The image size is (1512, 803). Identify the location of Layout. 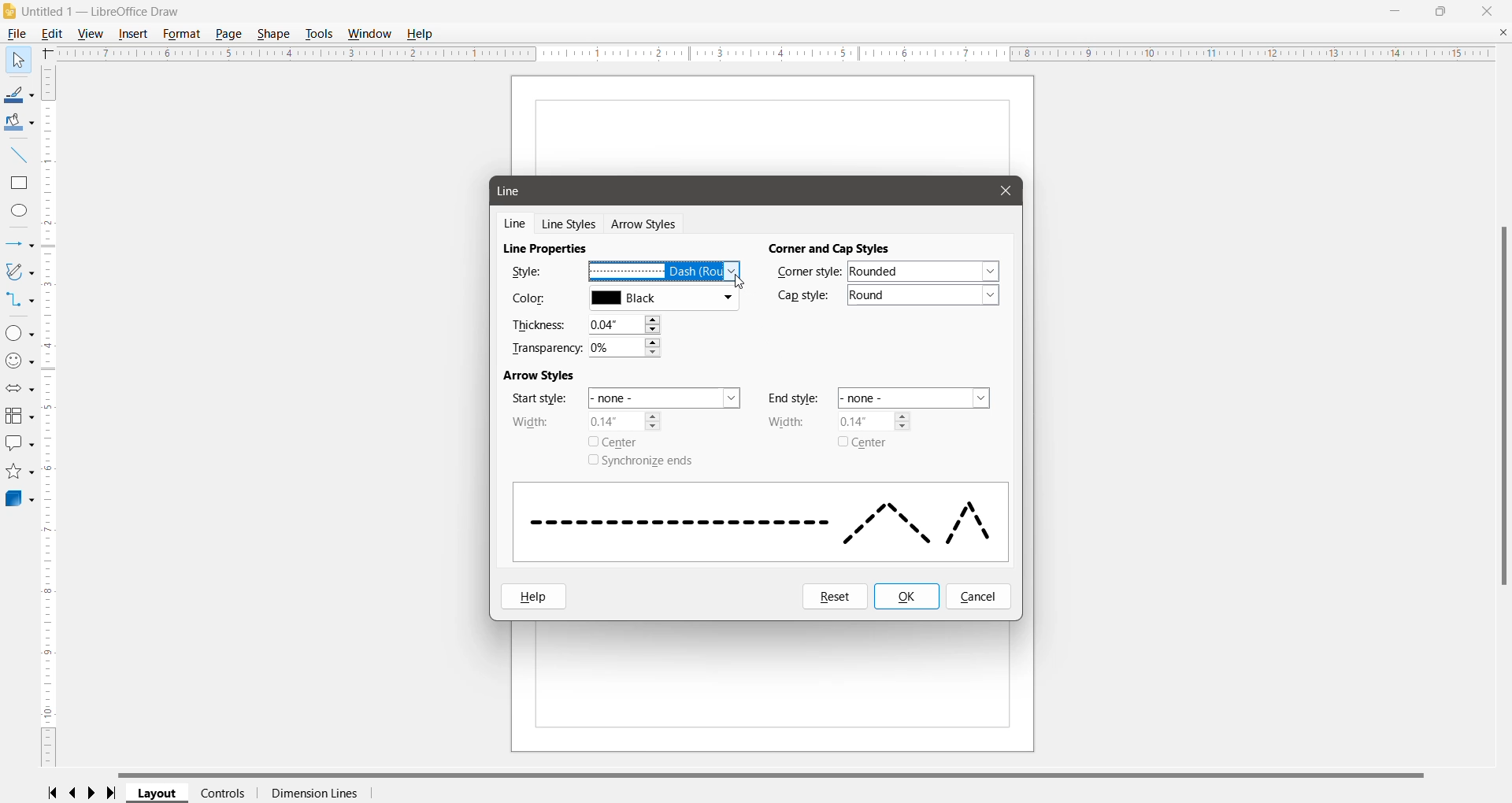
(157, 794).